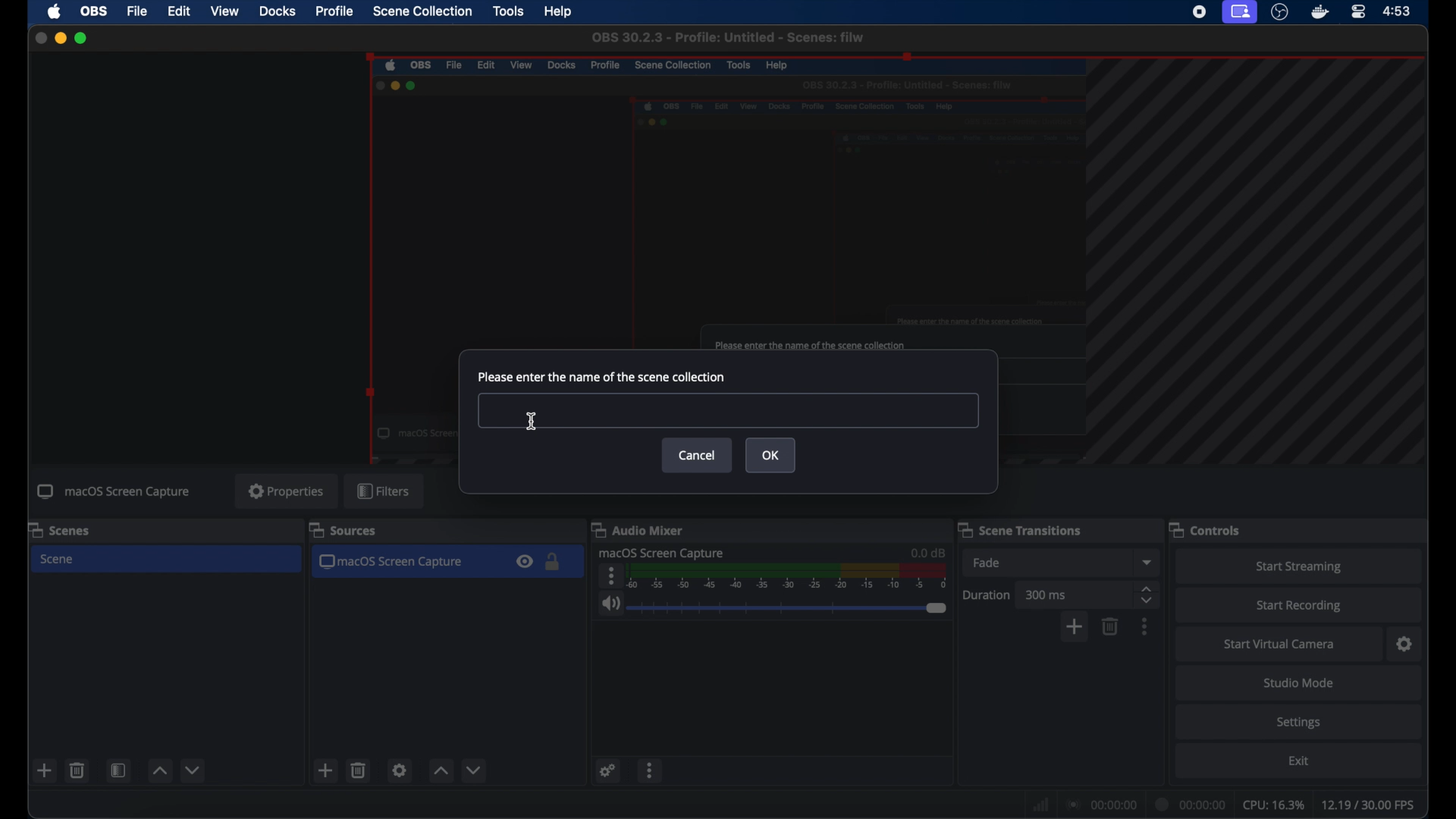 The width and height of the screenshot is (1456, 819). Describe the element at coordinates (1318, 12) in the screenshot. I see `docker` at that location.